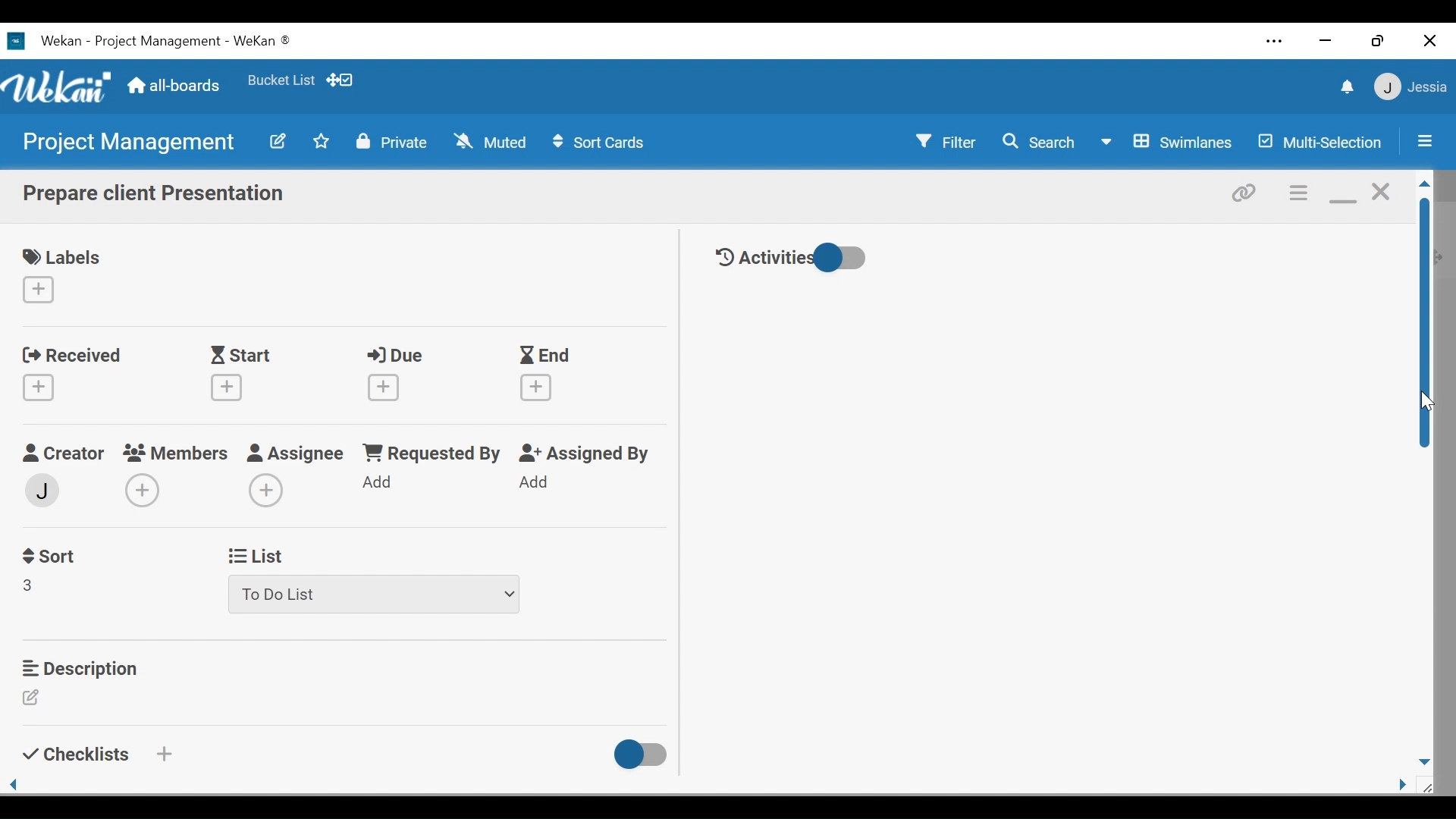 This screenshot has width=1456, height=819. Describe the element at coordinates (1425, 401) in the screenshot. I see `cursor` at that location.